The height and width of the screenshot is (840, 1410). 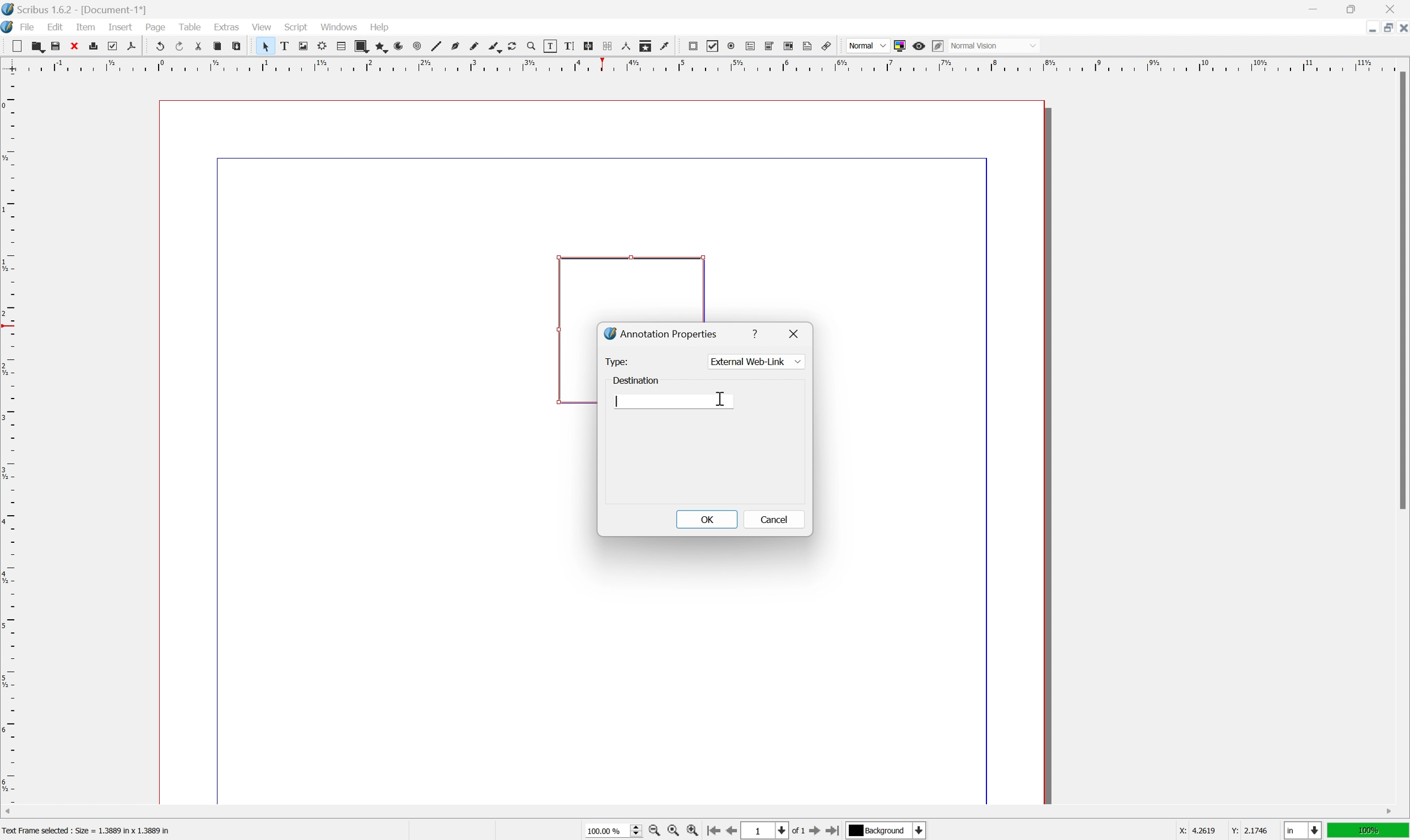 I want to click on page, so click(x=155, y=27).